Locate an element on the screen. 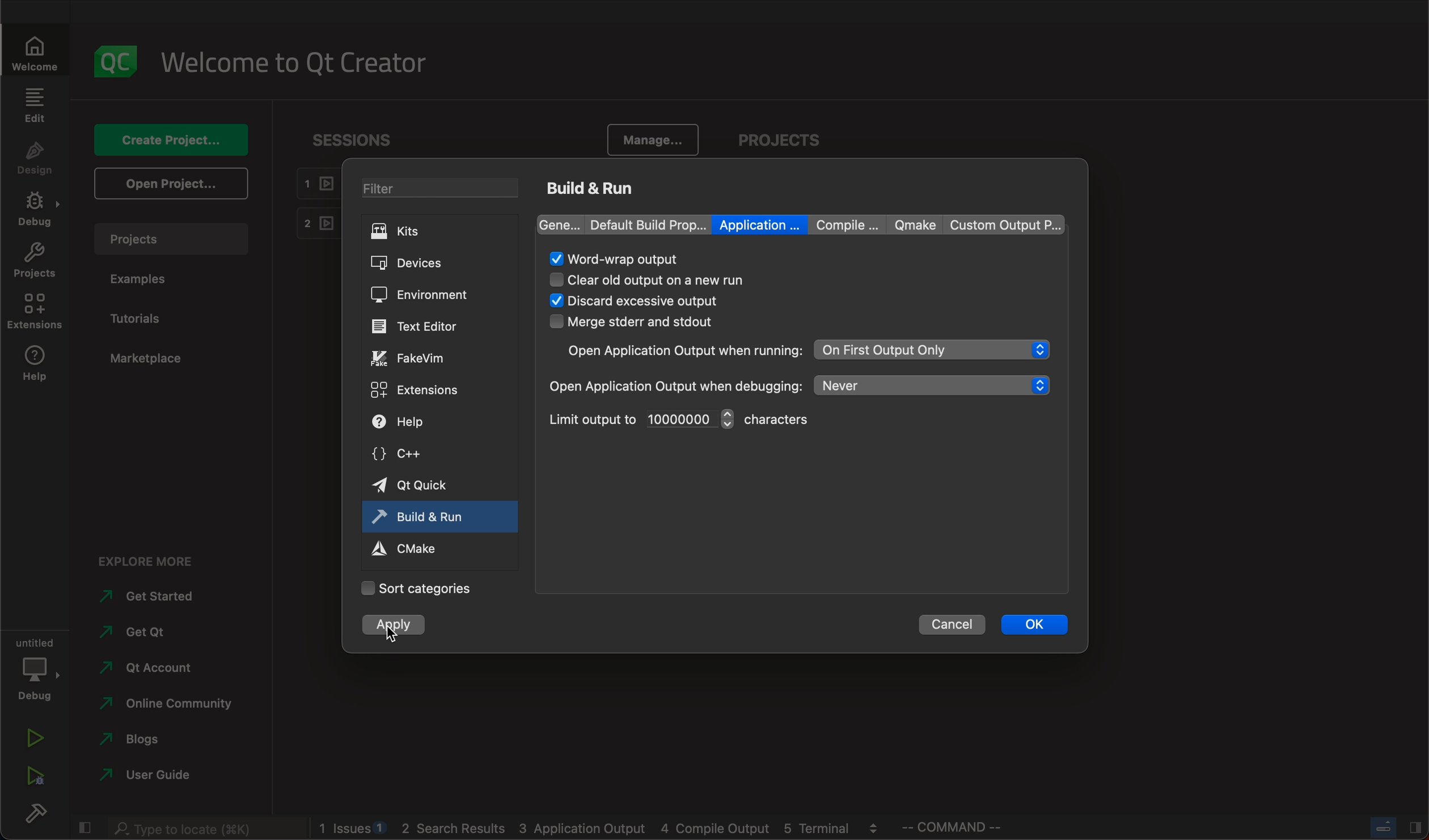  command is located at coordinates (964, 827).